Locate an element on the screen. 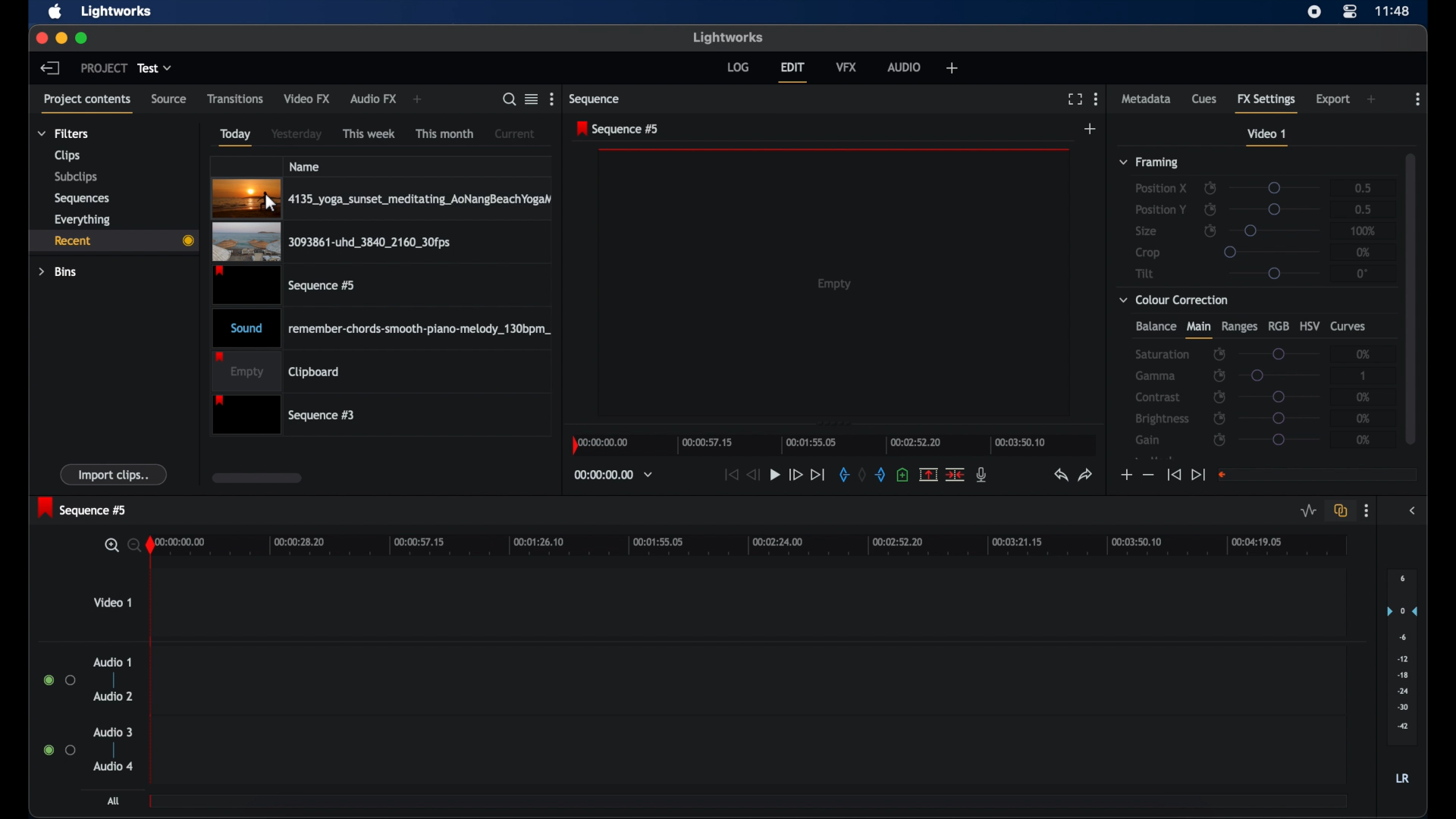 The height and width of the screenshot is (819, 1456). video clip is located at coordinates (331, 243).